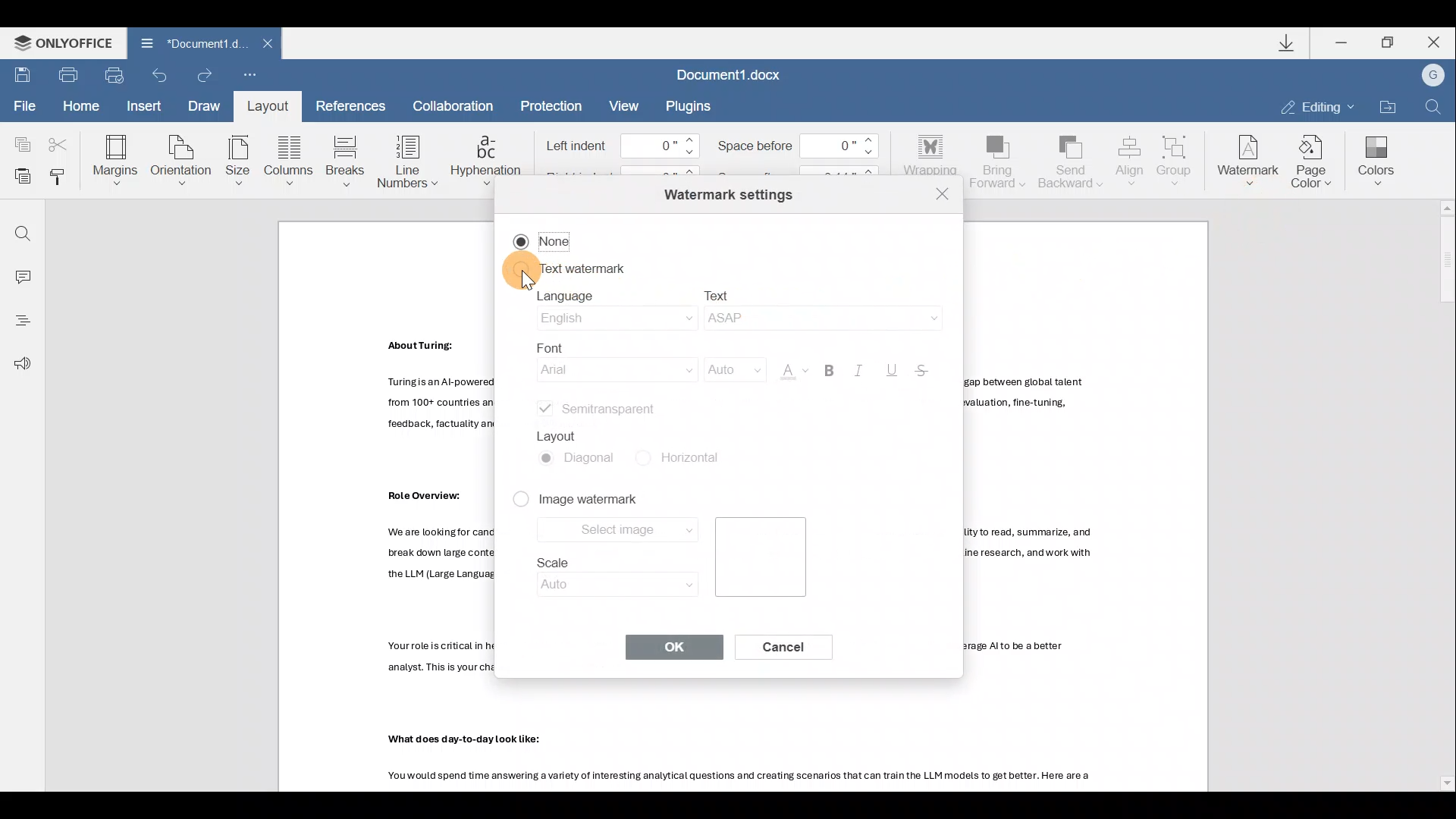  Describe the element at coordinates (202, 74) in the screenshot. I see `Redo` at that location.